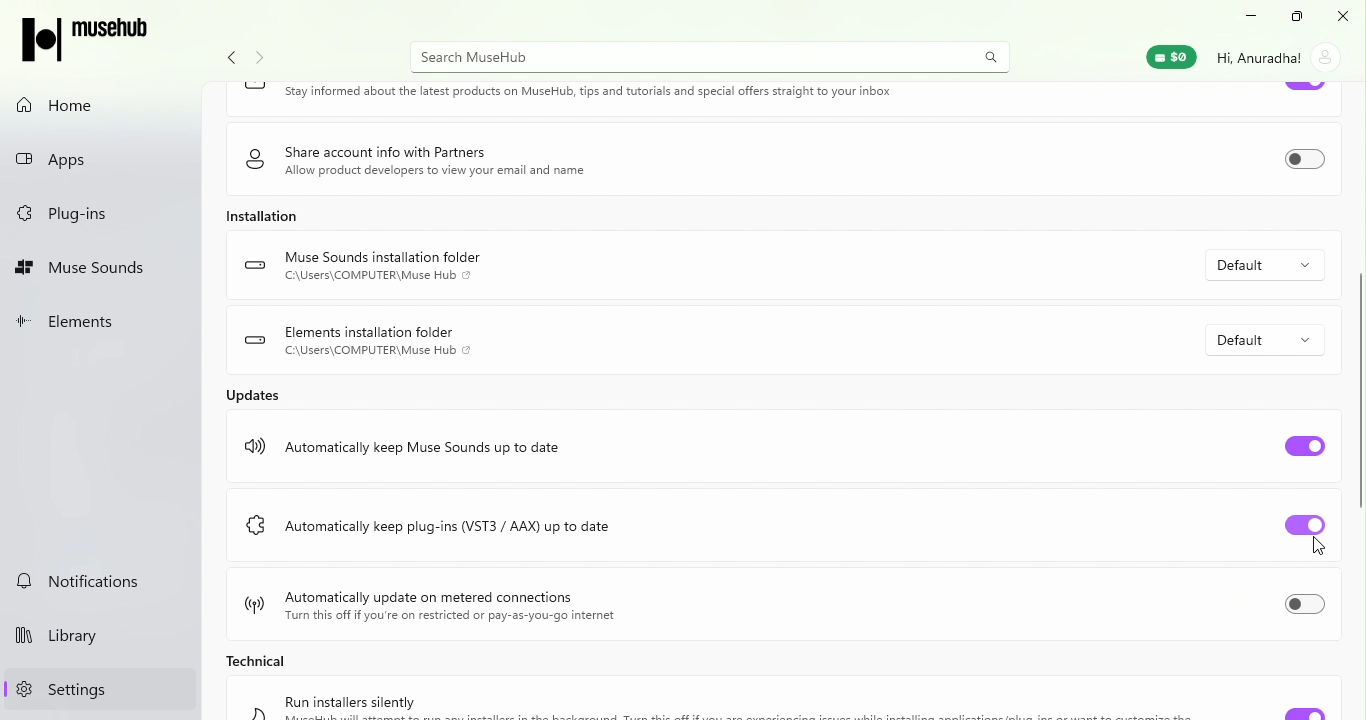 This screenshot has width=1366, height=720. What do you see at coordinates (254, 443) in the screenshot?
I see `logo` at bounding box center [254, 443].